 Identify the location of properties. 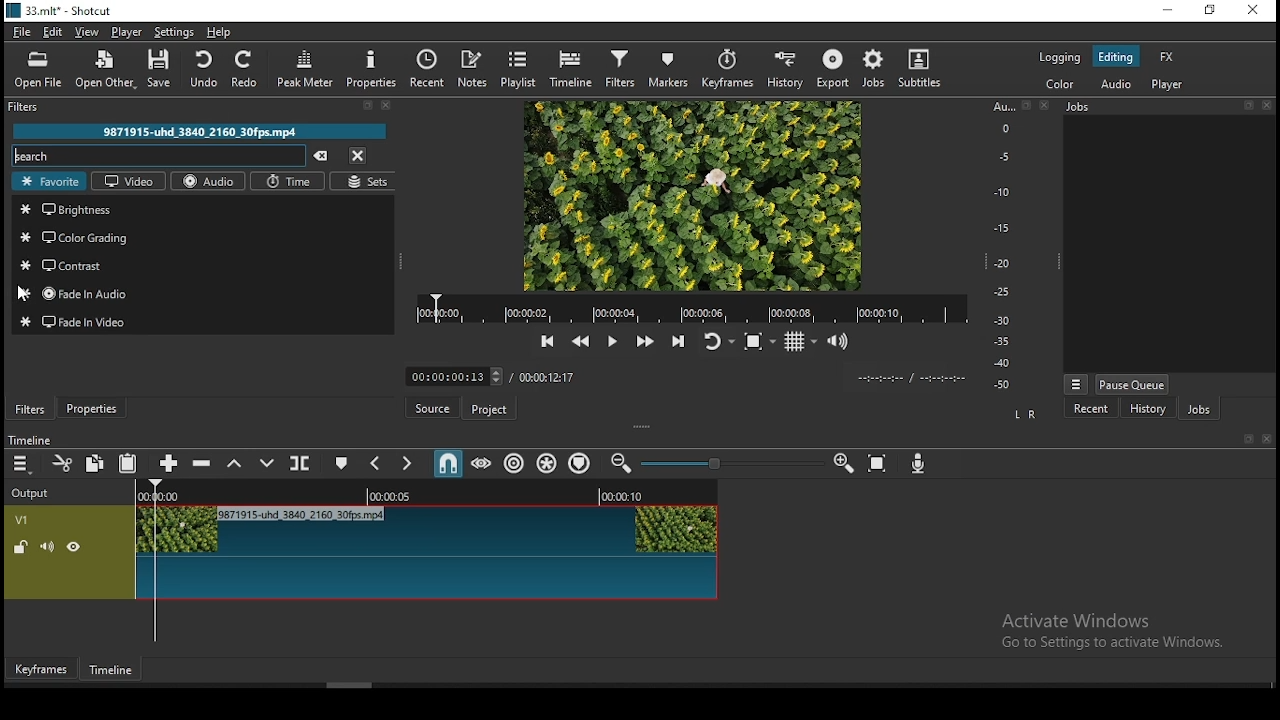
(92, 408).